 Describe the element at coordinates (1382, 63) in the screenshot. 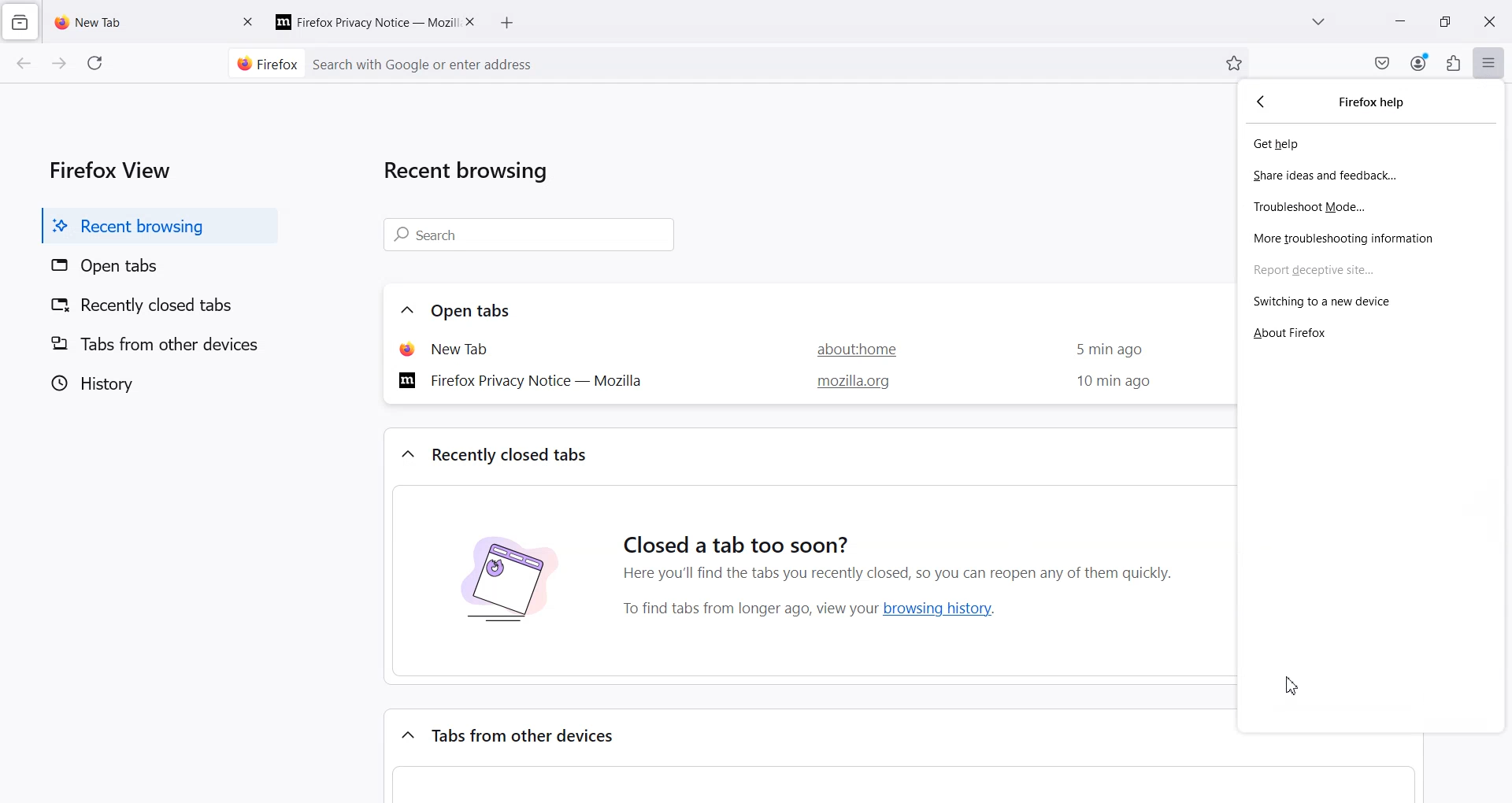

I see `Save to Pocket` at that location.